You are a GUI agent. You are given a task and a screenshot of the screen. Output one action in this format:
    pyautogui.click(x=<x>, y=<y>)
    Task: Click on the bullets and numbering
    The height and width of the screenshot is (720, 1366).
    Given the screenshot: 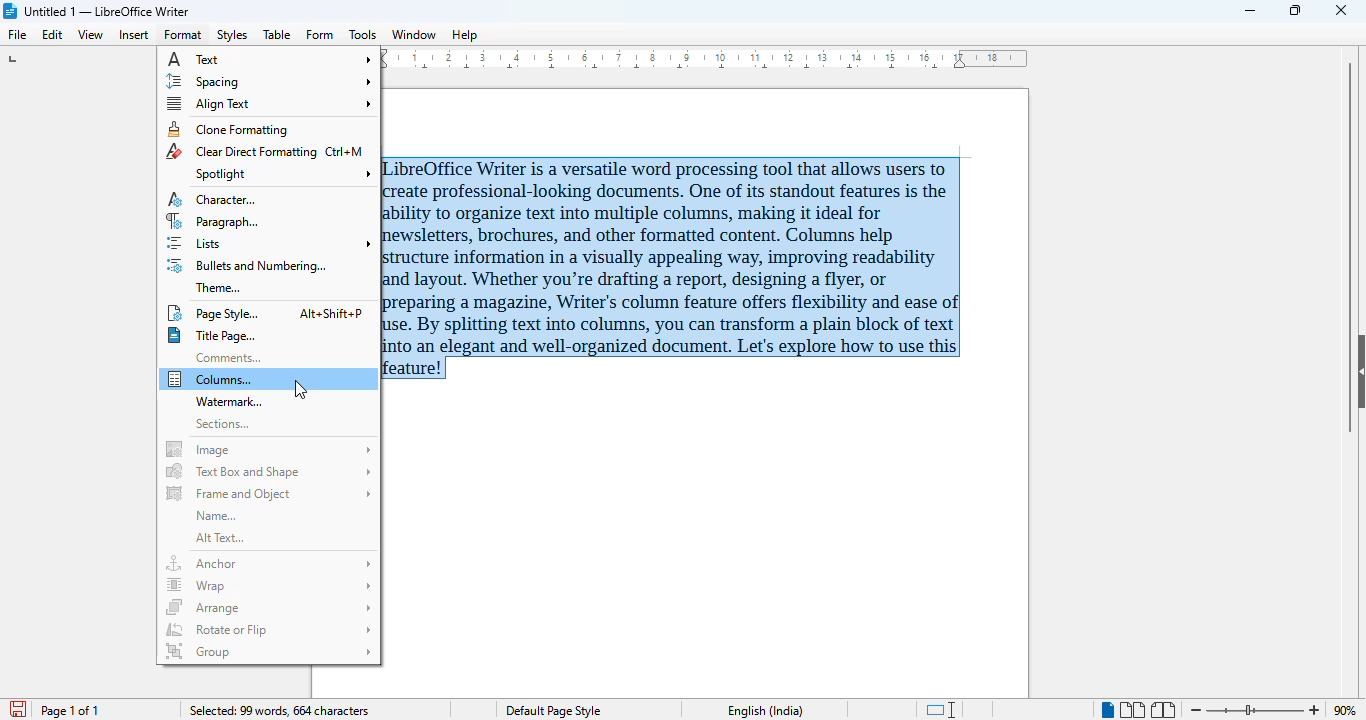 What is the action you would take?
    pyautogui.click(x=247, y=266)
    